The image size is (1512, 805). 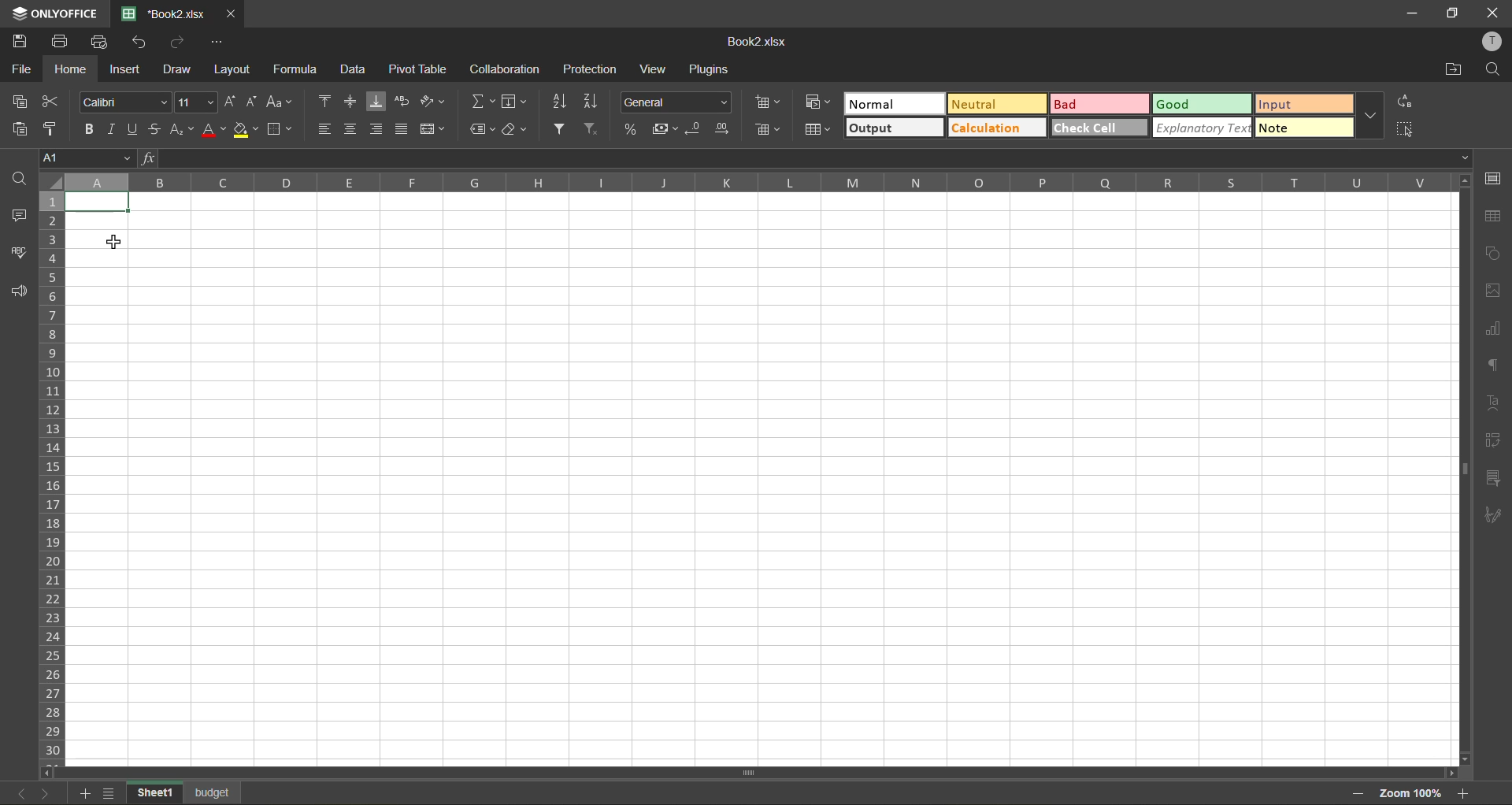 I want to click on insert cells , so click(x=769, y=104).